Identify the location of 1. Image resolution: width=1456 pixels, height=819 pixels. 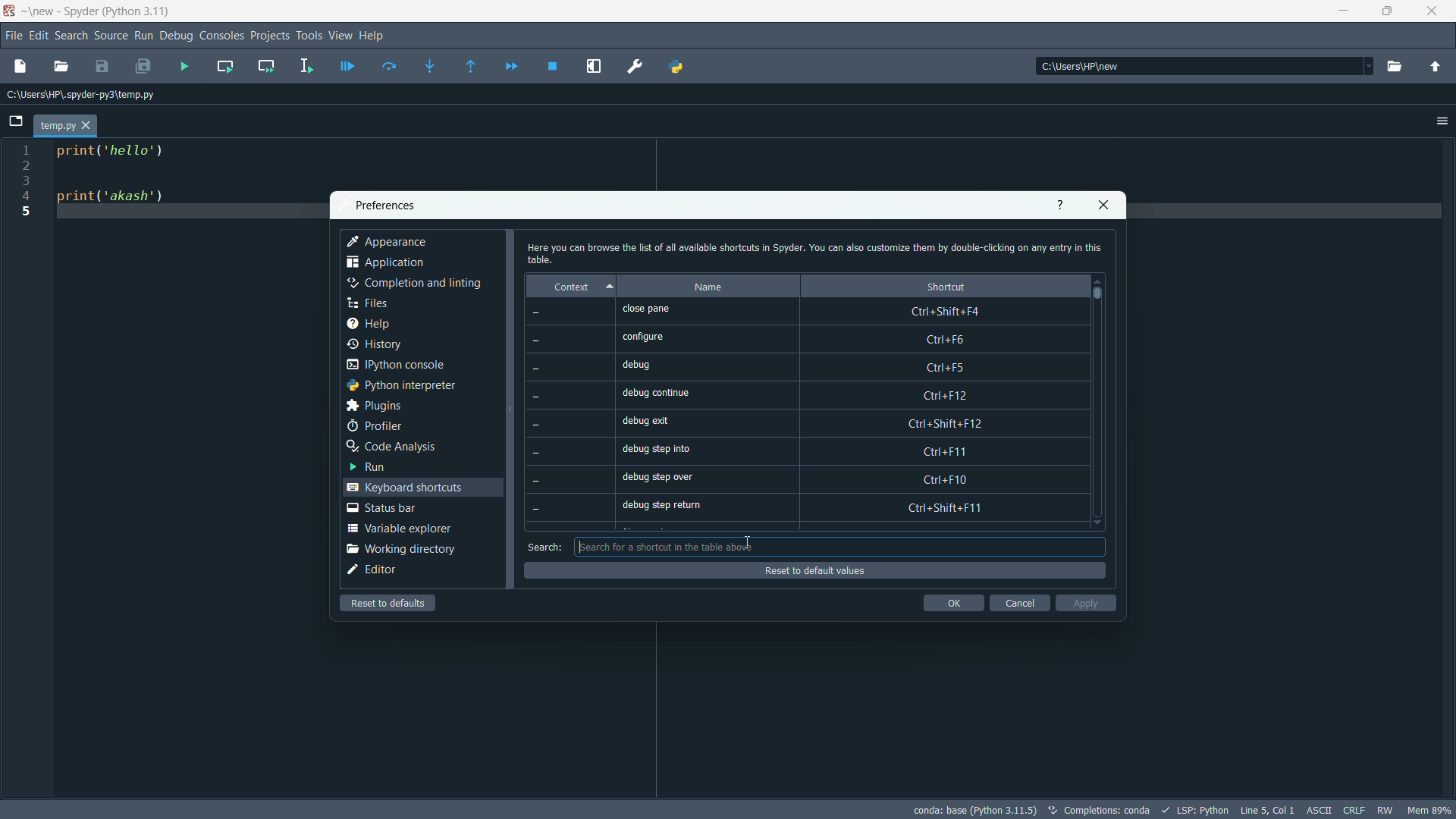
(29, 148).